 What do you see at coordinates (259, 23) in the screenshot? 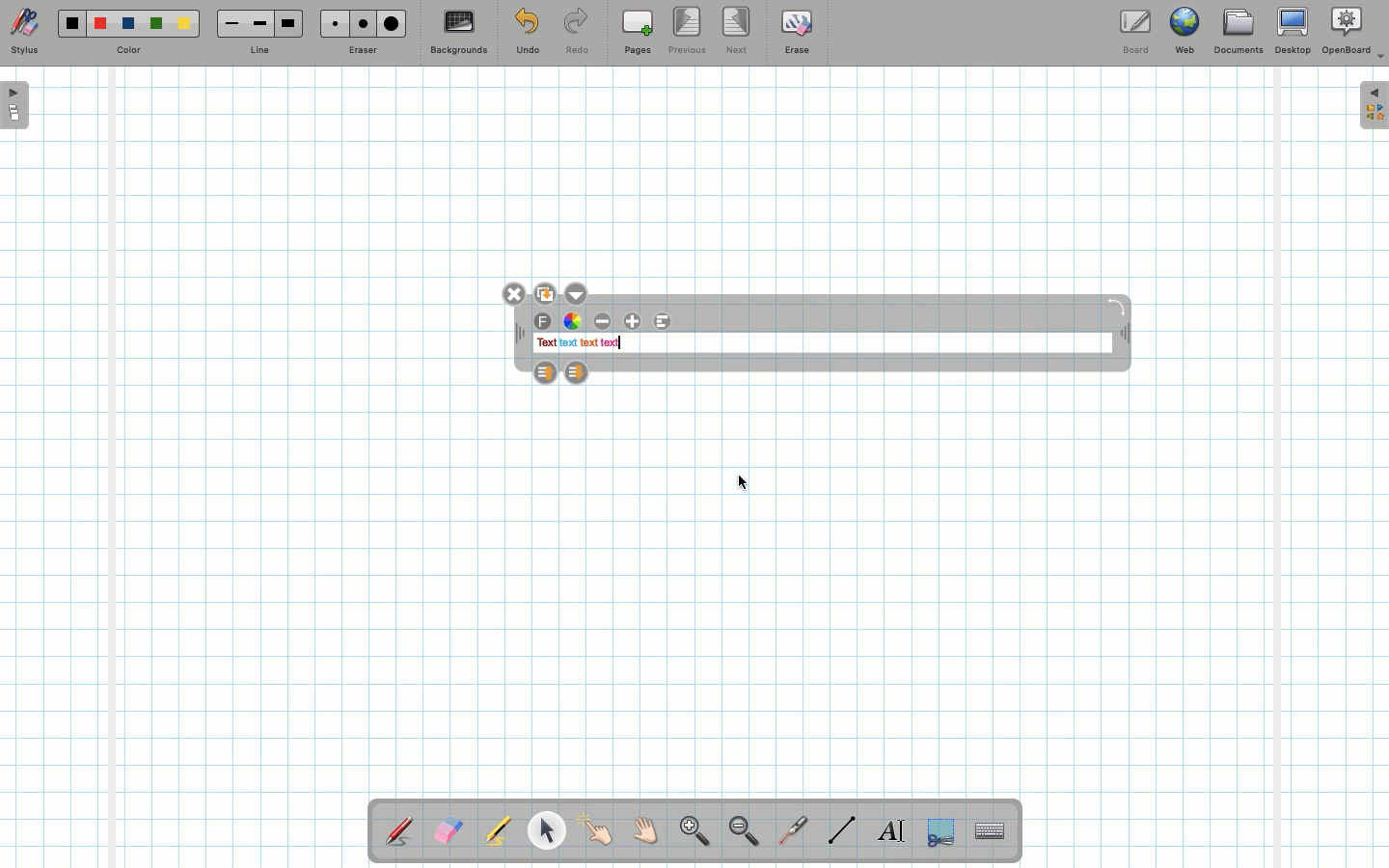
I see `Medium line` at bounding box center [259, 23].